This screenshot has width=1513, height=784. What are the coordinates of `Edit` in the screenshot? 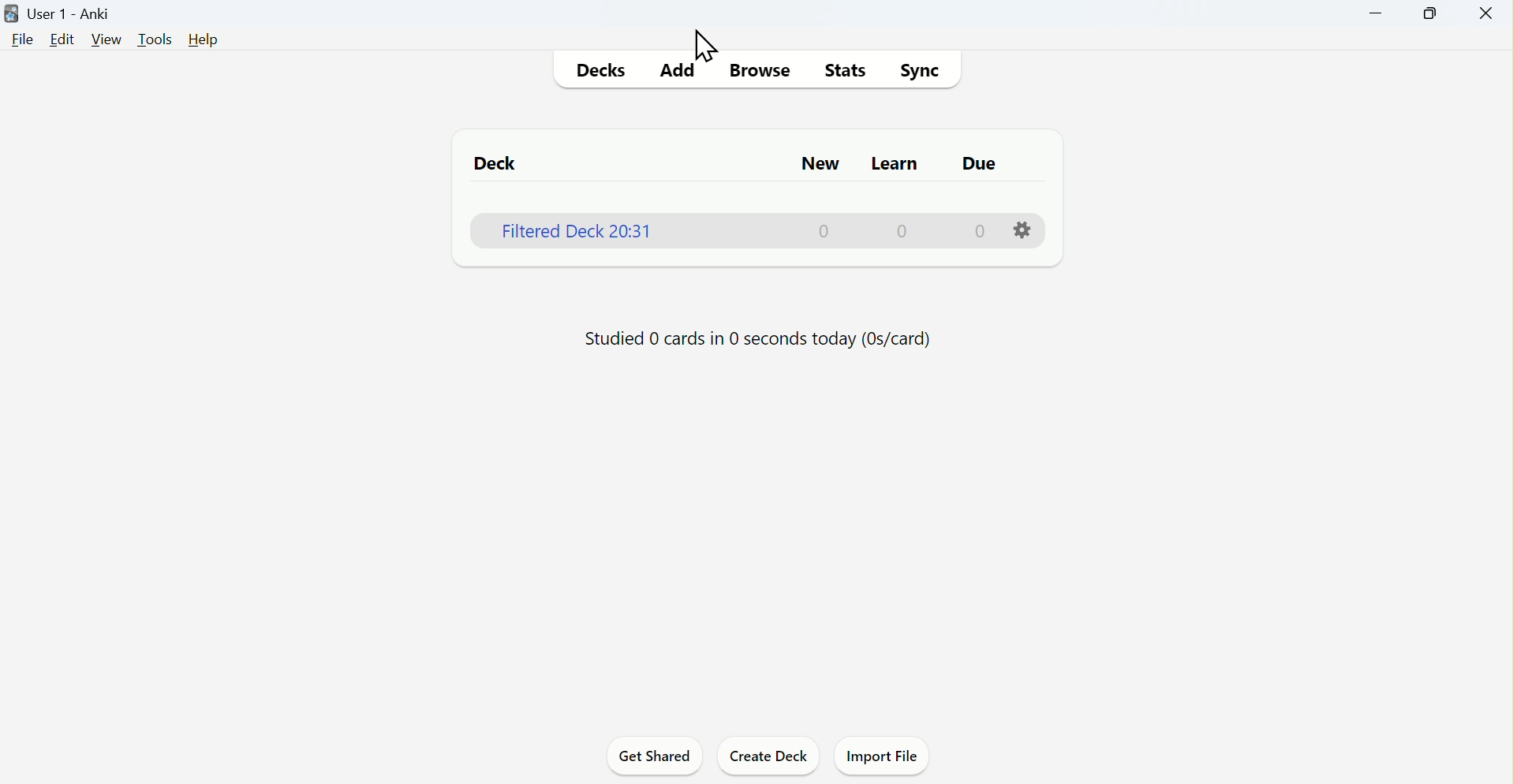 It's located at (61, 39).